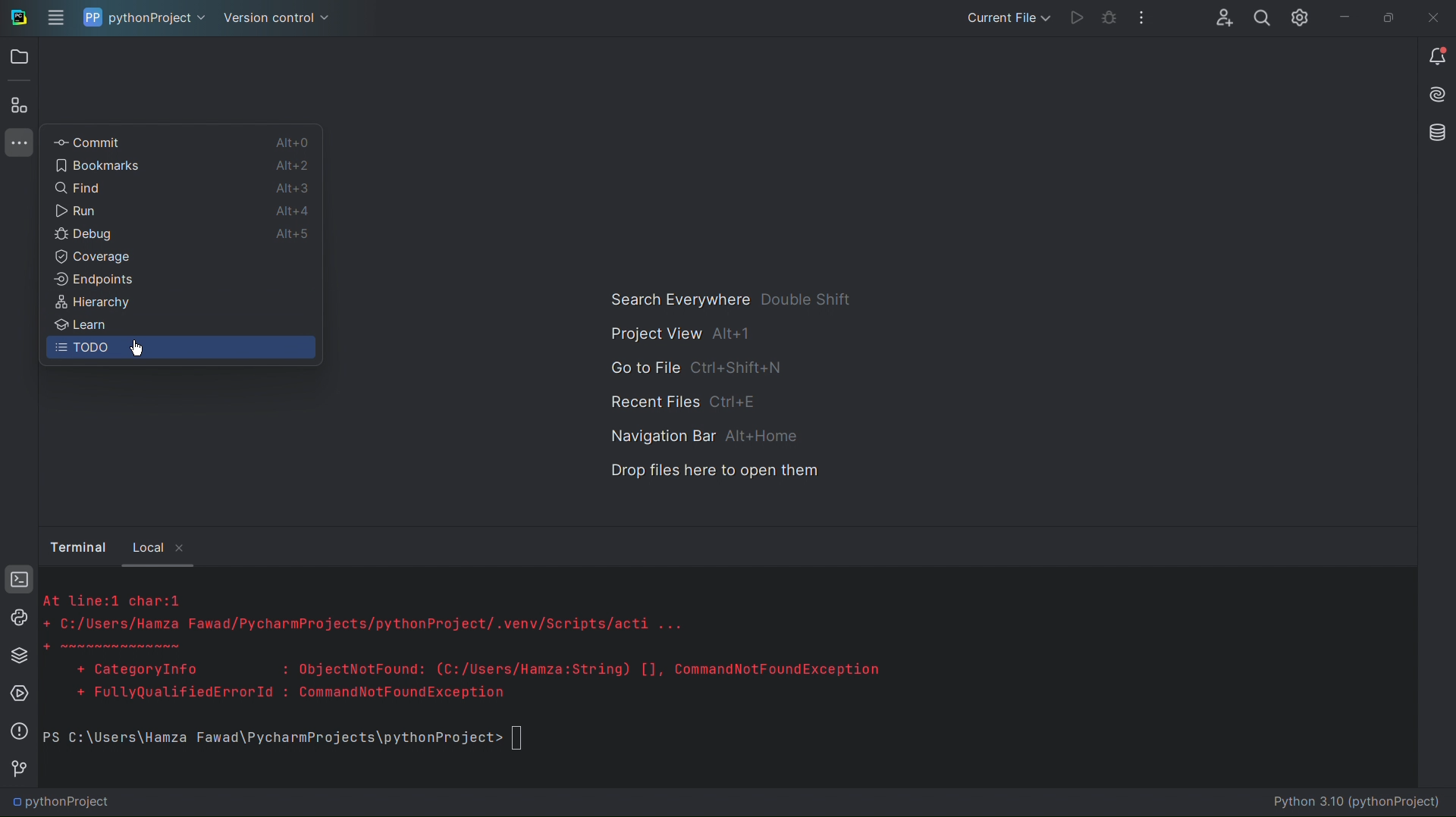 Image resolution: width=1456 pixels, height=817 pixels. What do you see at coordinates (134, 349) in the screenshot?
I see `Cursor at TODO` at bounding box center [134, 349].